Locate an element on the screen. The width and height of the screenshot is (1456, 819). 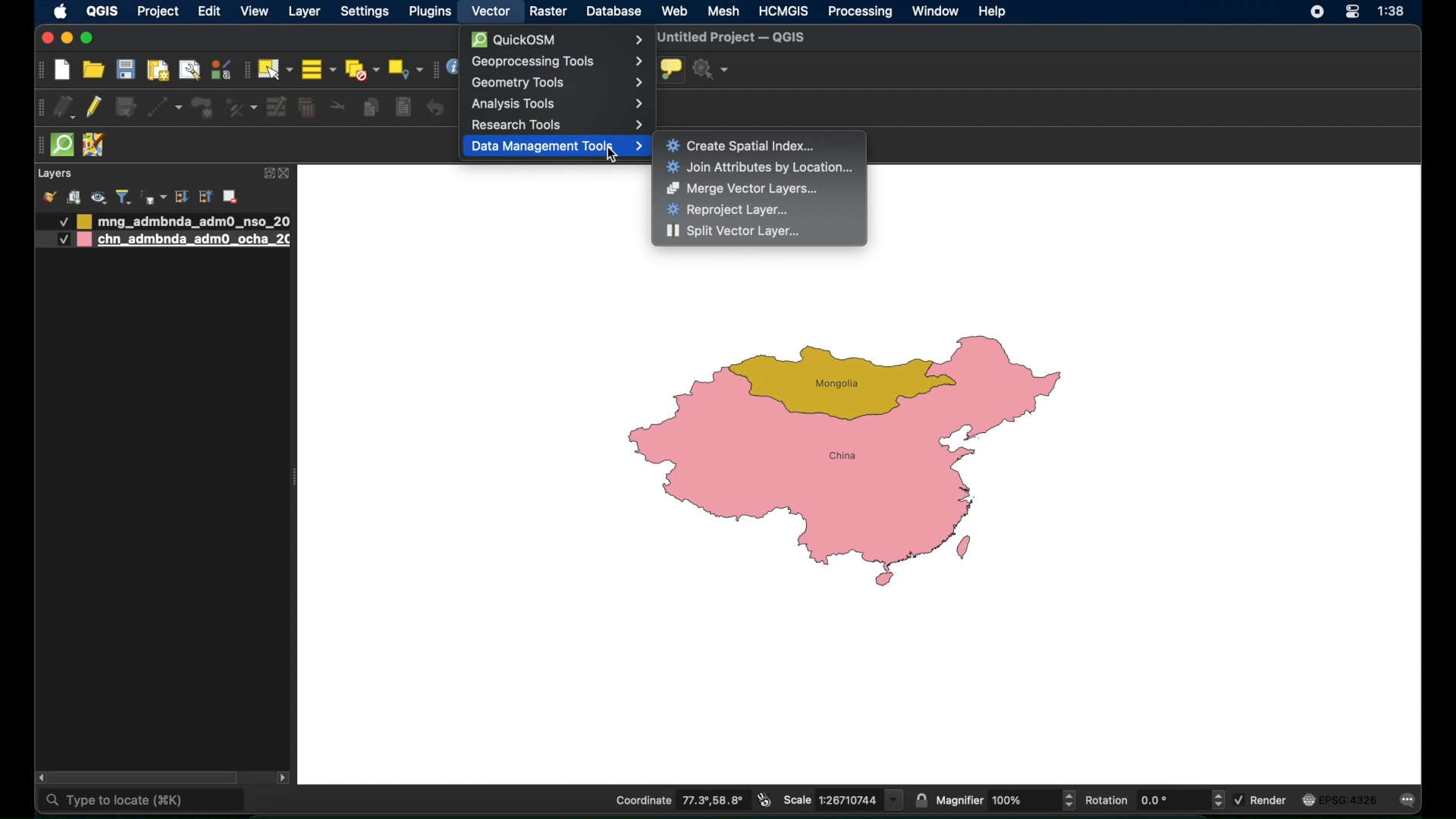
Data Management Tools is located at coordinates (557, 146).